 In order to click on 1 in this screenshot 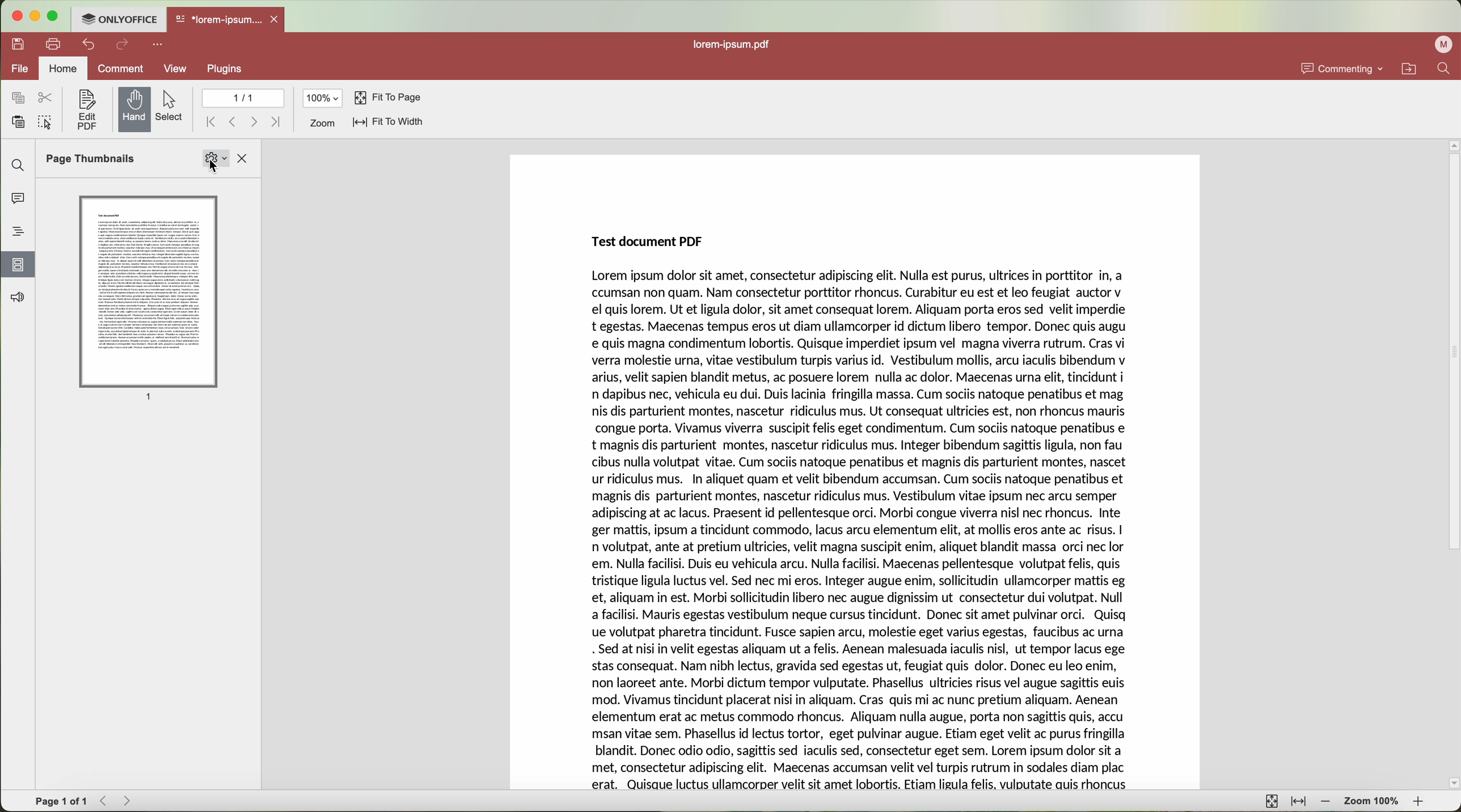, I will do `click(151, 397)`.